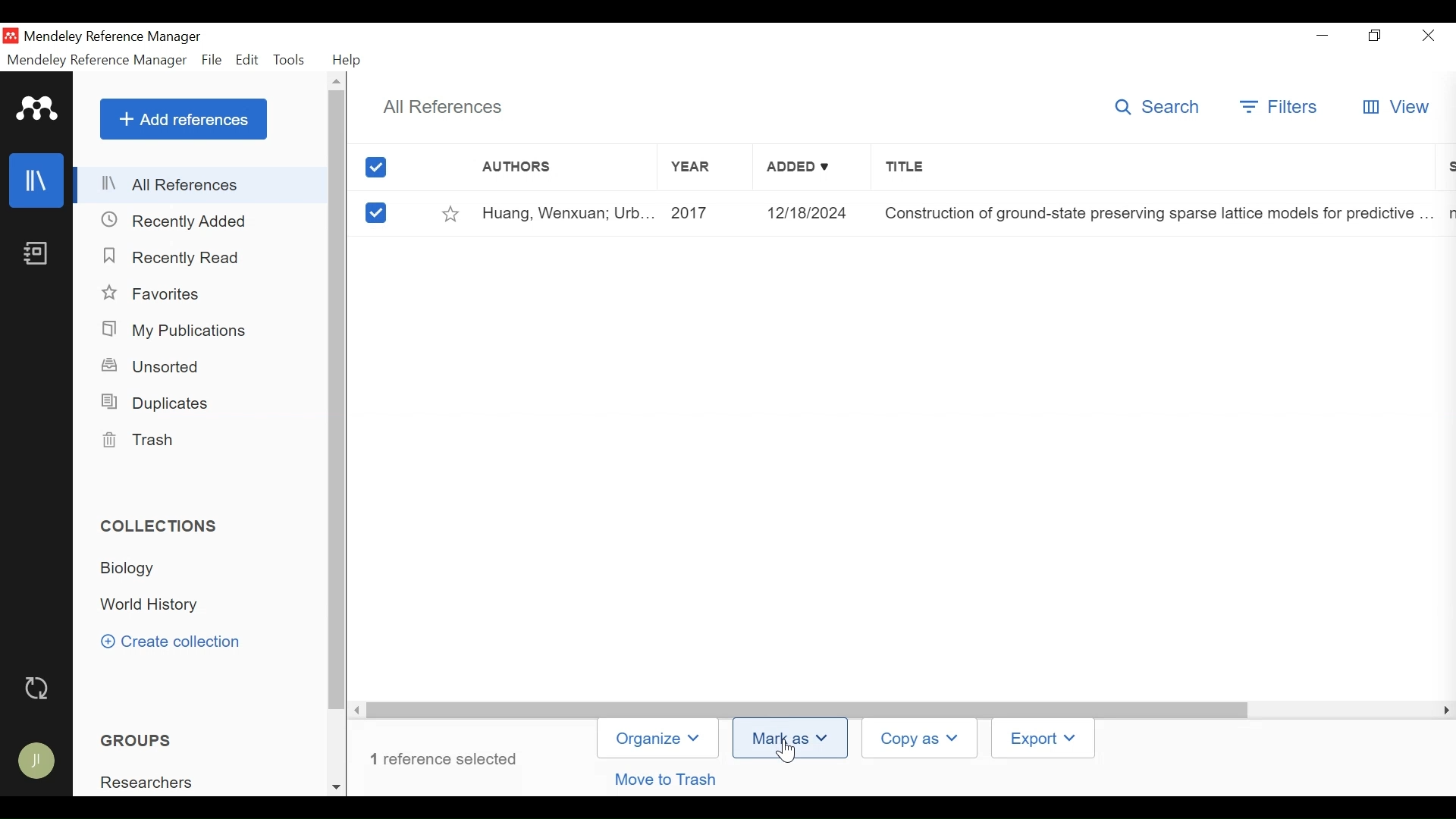 Image resolution: width=1456 pixels, height=819 pixels. I want to click on Mark as, so click(791, 739).